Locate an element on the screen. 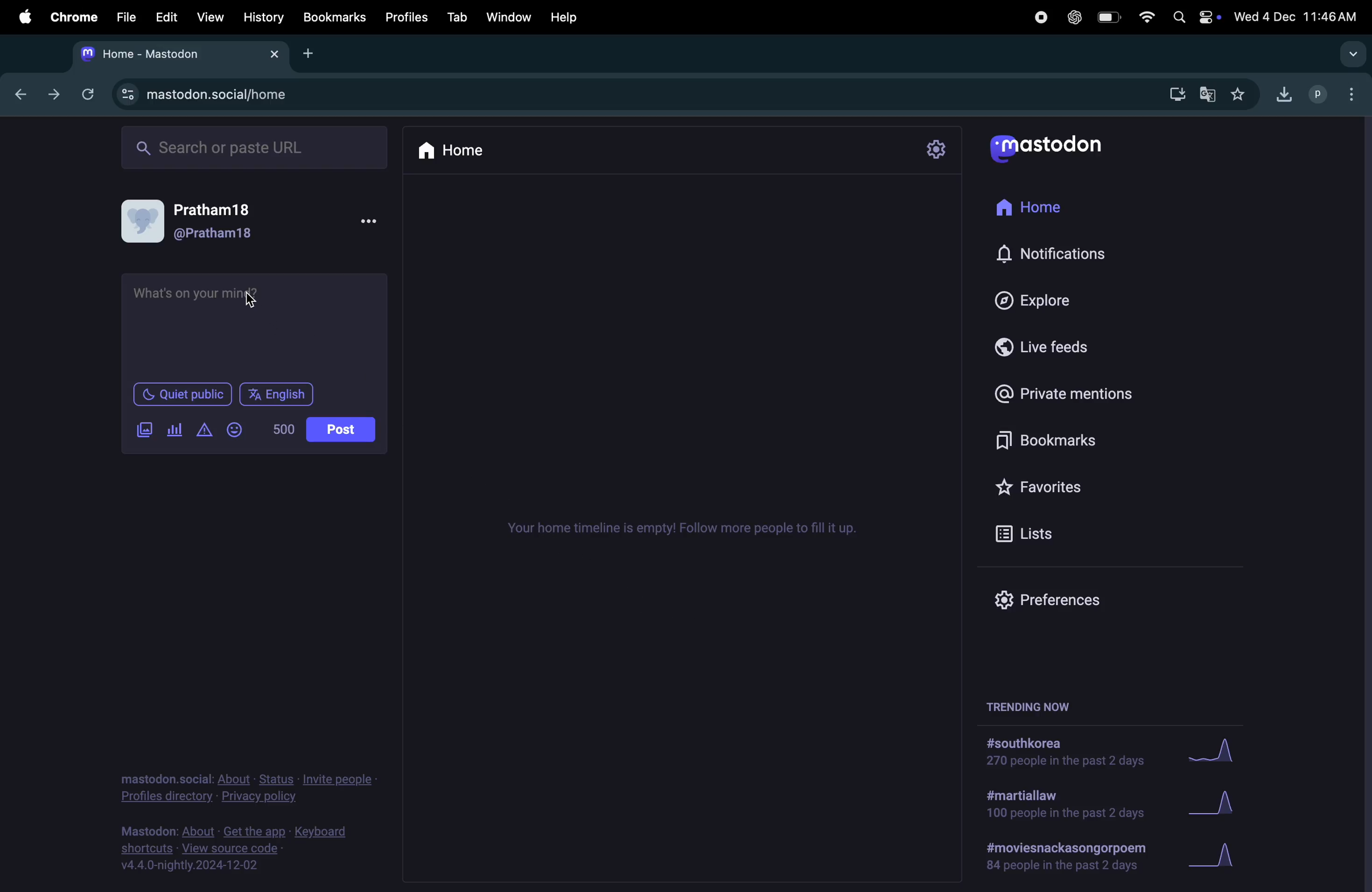  graph is located at coordinates (1220, 857).